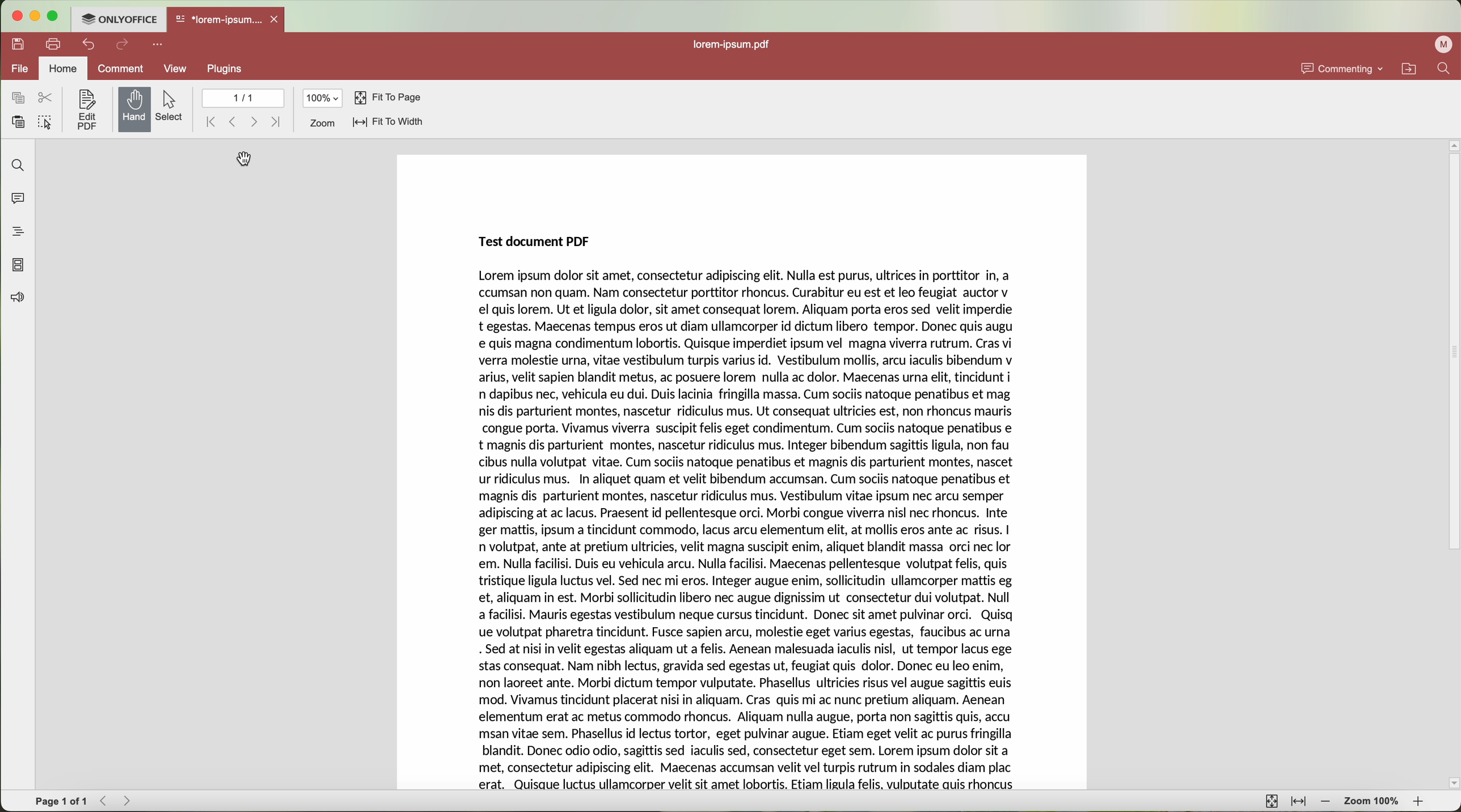  Describe the element at coordinates (53, 16) in the screenshot. I see `maximize program` at that location.